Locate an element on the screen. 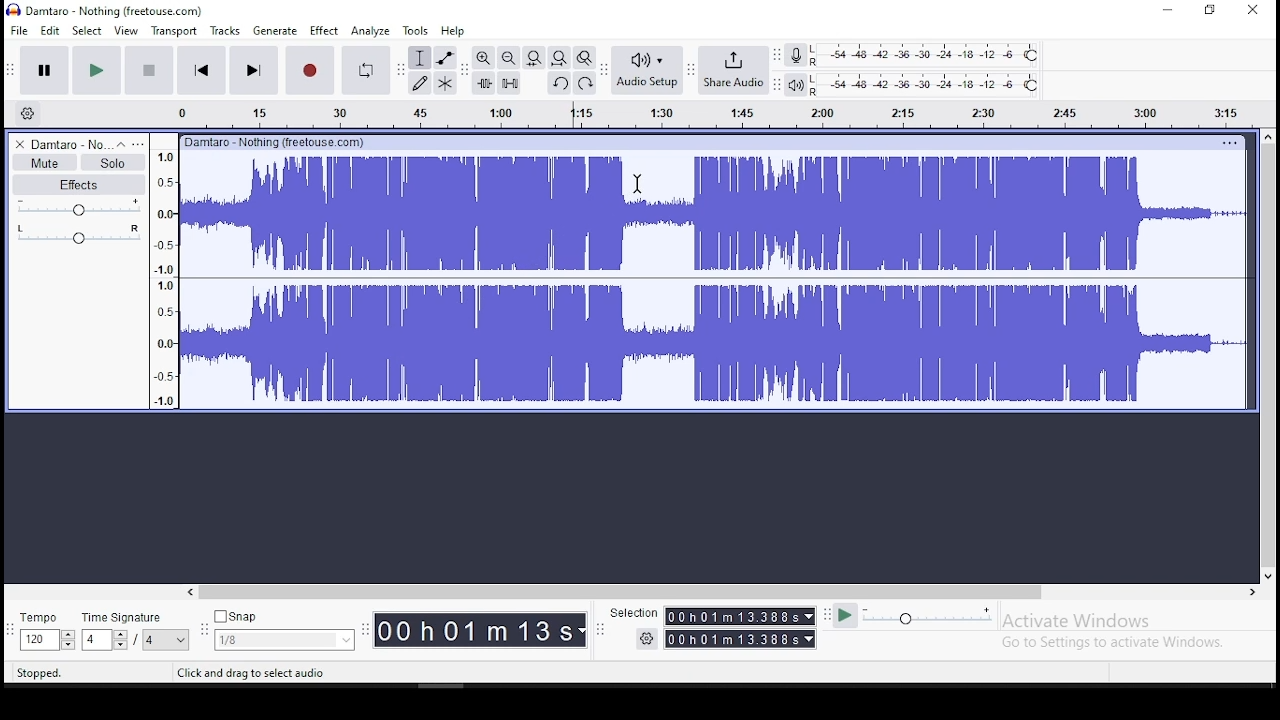  timeline is located at coordinates (713, 114).